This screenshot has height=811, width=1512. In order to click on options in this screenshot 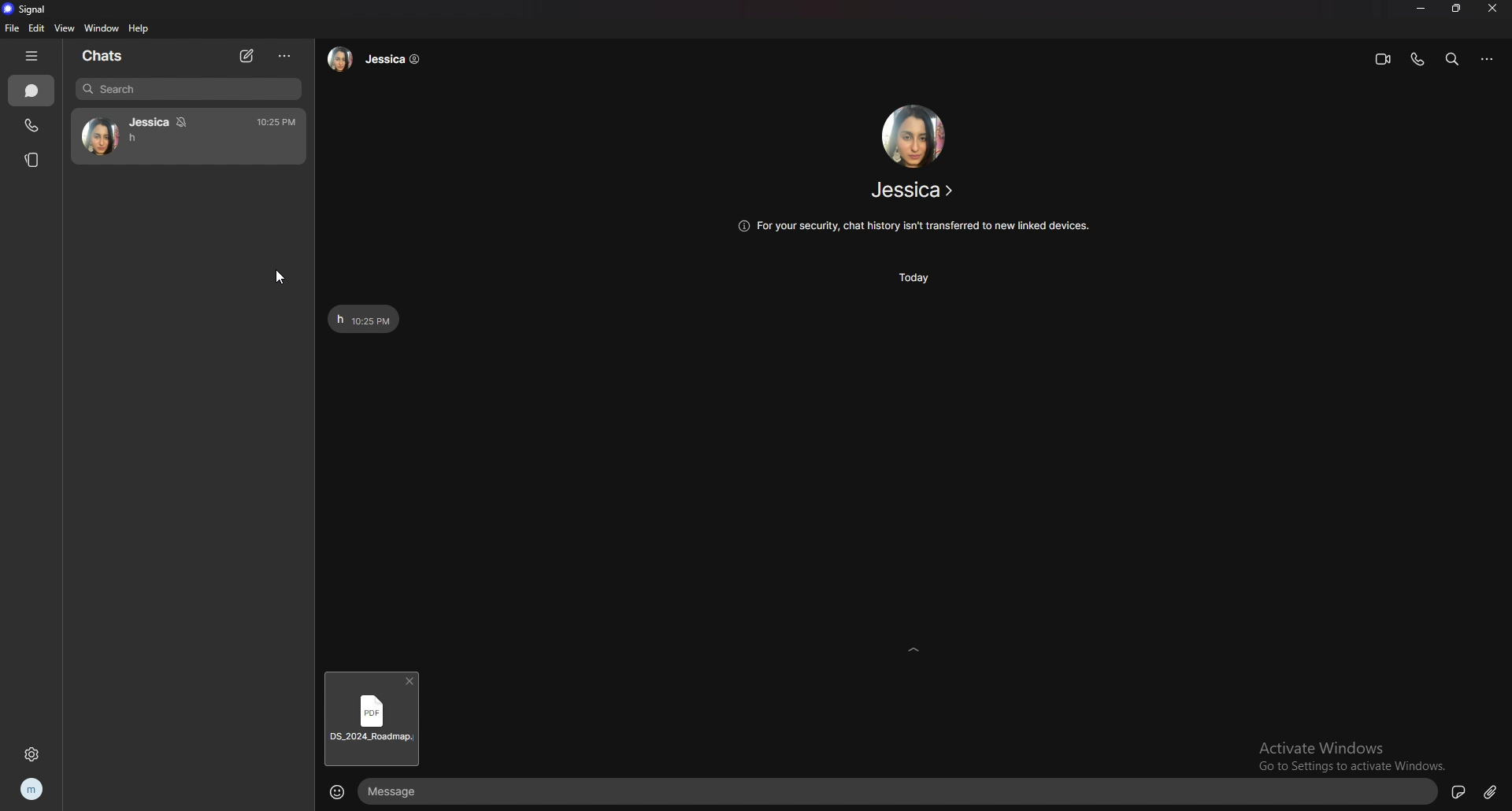, I will do `click(1489, 59)`.